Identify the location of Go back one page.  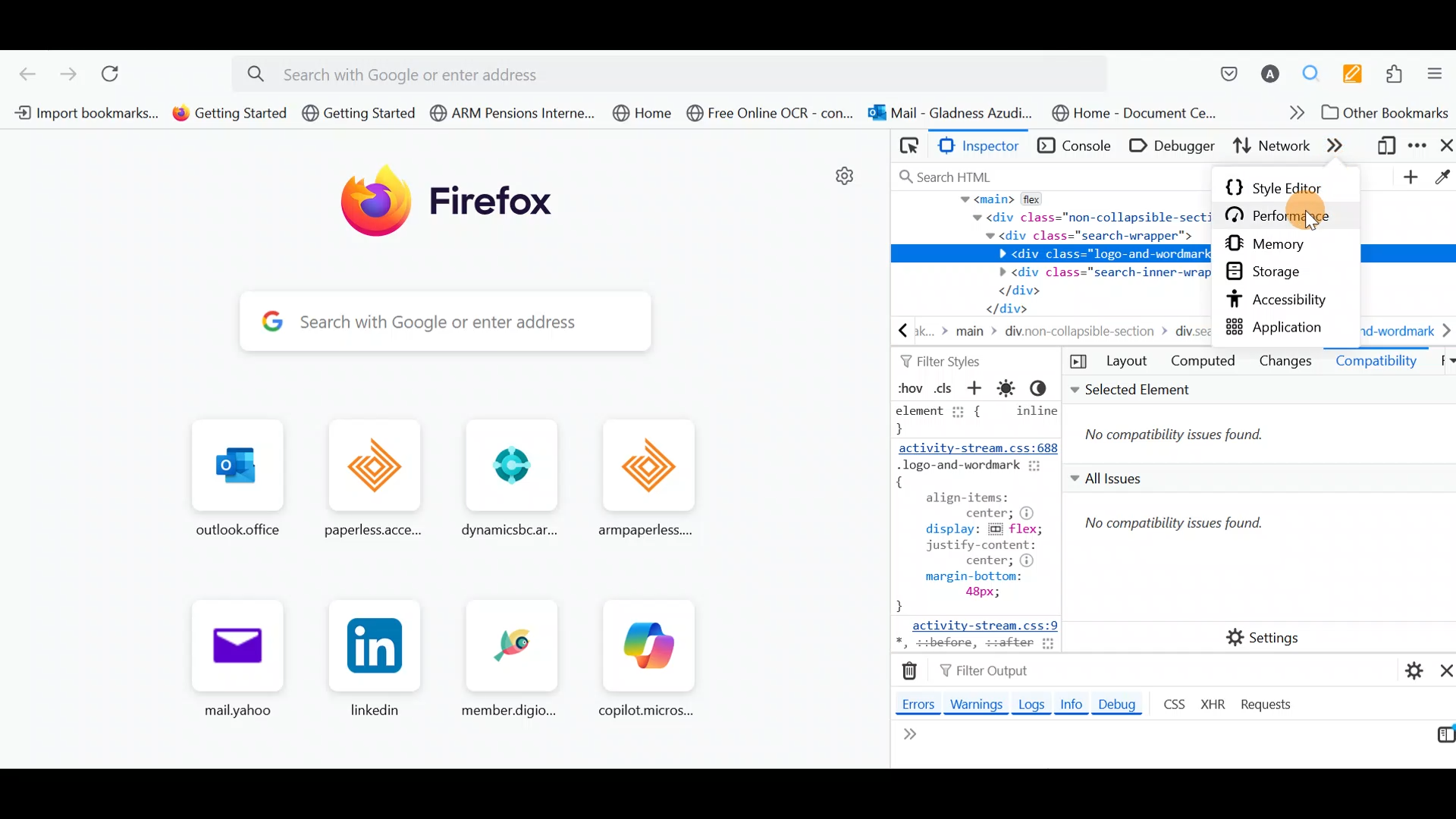
(22, 73).